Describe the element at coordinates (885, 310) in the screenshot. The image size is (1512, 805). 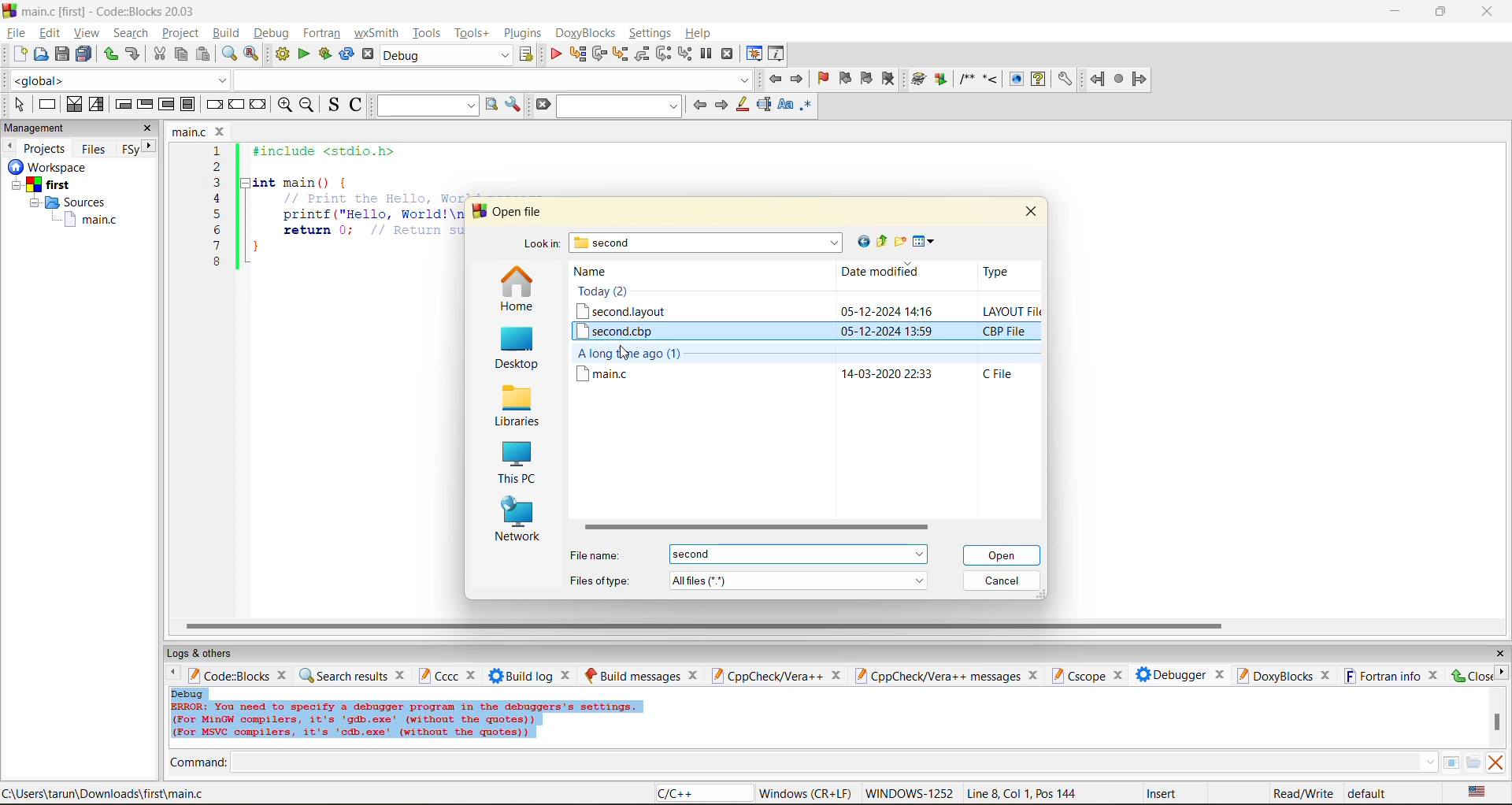
I see `Date and time` at that location.